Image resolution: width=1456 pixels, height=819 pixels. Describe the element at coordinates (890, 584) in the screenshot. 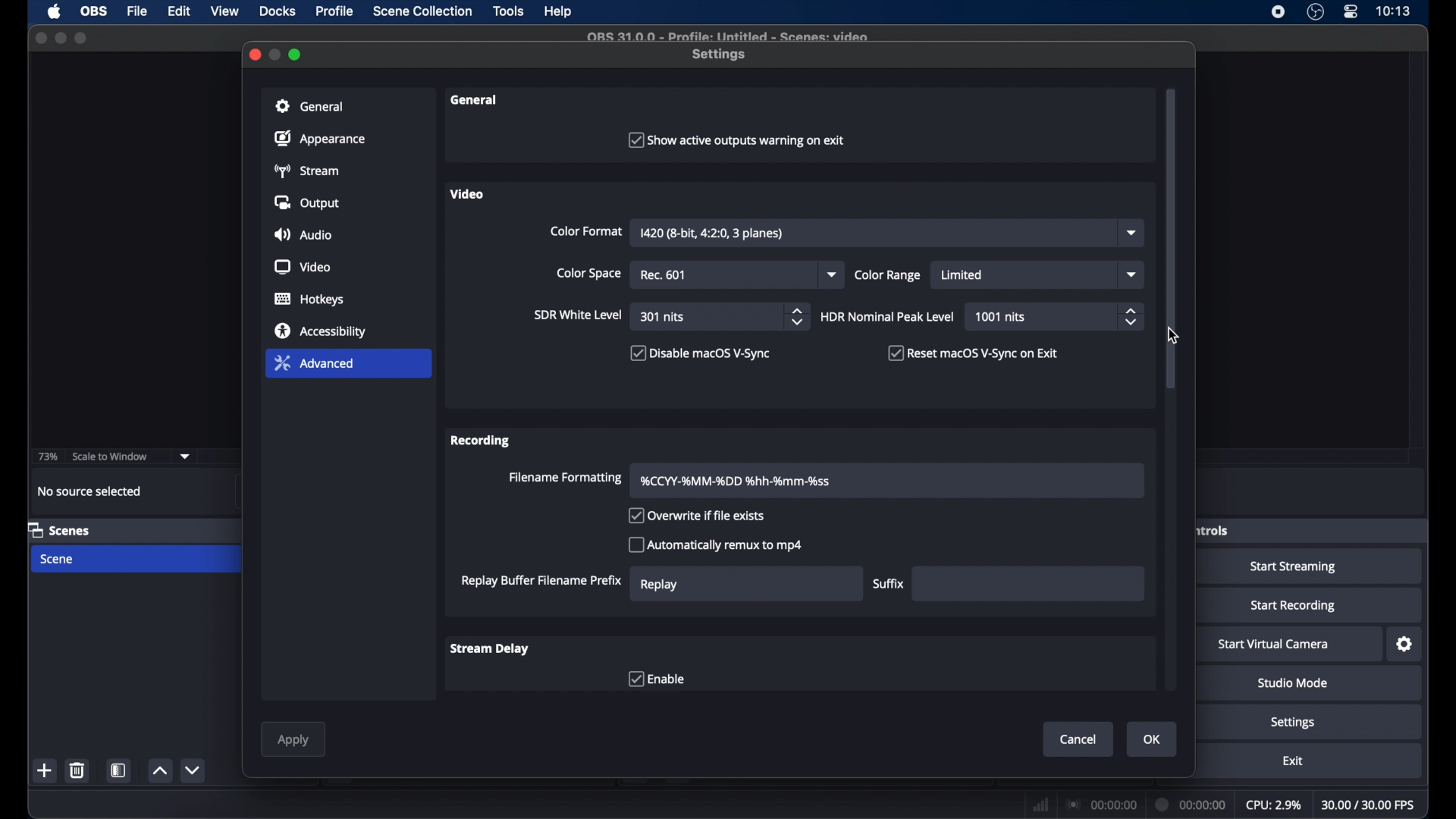

I see `suffix` at that location.